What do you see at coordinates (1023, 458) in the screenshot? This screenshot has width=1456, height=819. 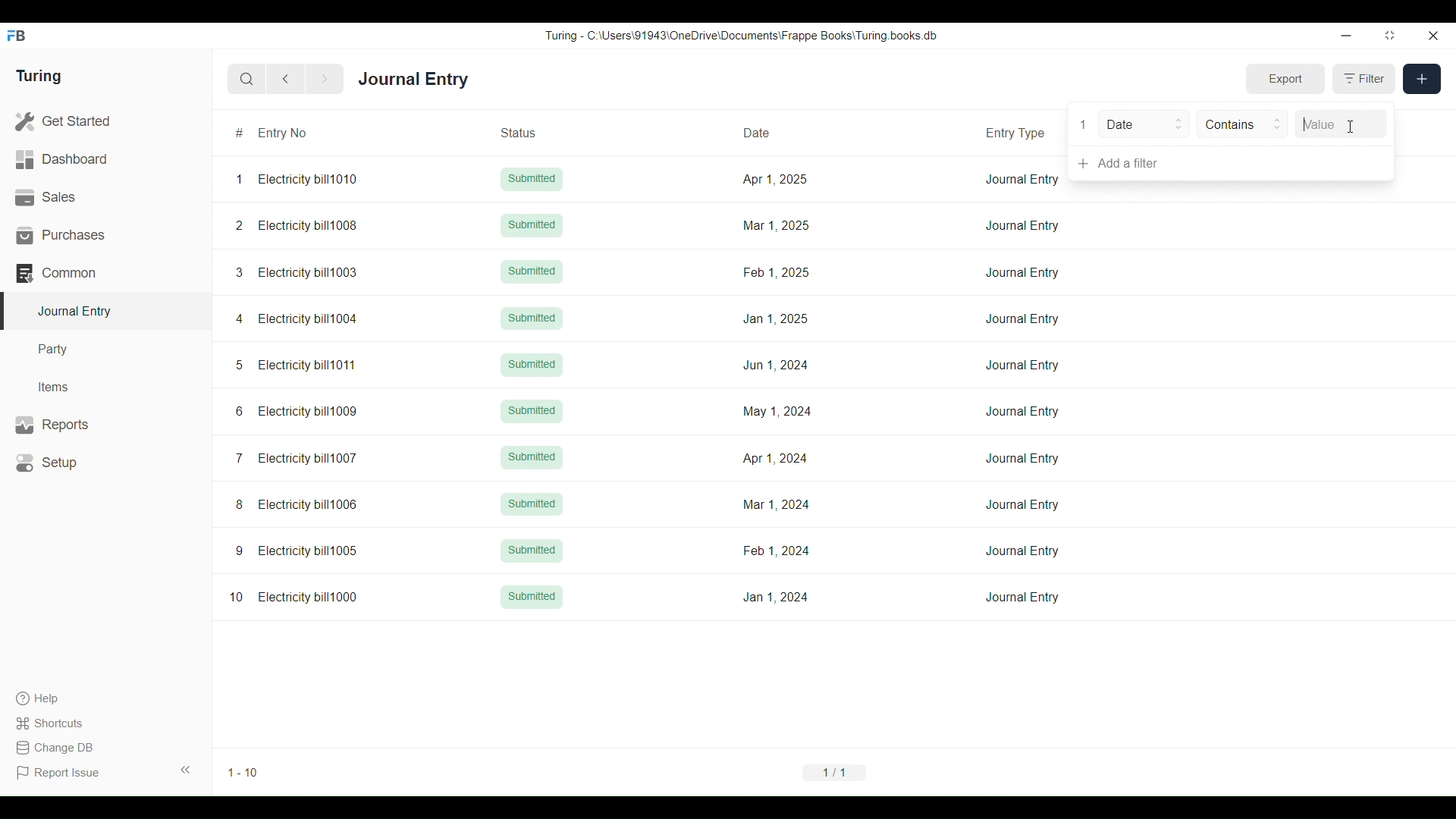 I see `Journal Entry` at bounding box center [1023, 458].